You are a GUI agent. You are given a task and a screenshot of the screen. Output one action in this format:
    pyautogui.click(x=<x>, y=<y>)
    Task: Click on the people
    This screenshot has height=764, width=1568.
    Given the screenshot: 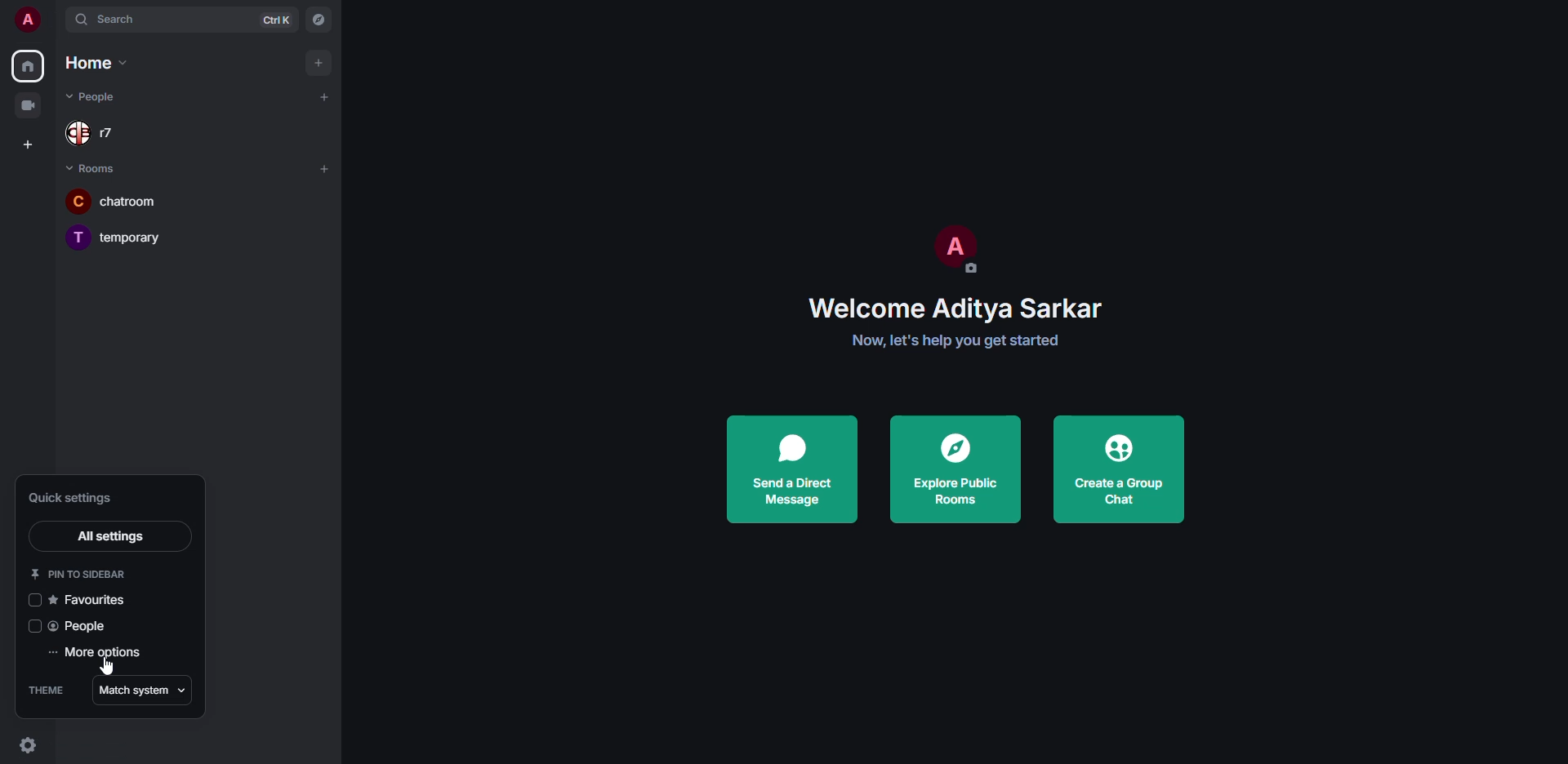 What is the action you would take?
    pyautogui.click(x=104, y=98)
    